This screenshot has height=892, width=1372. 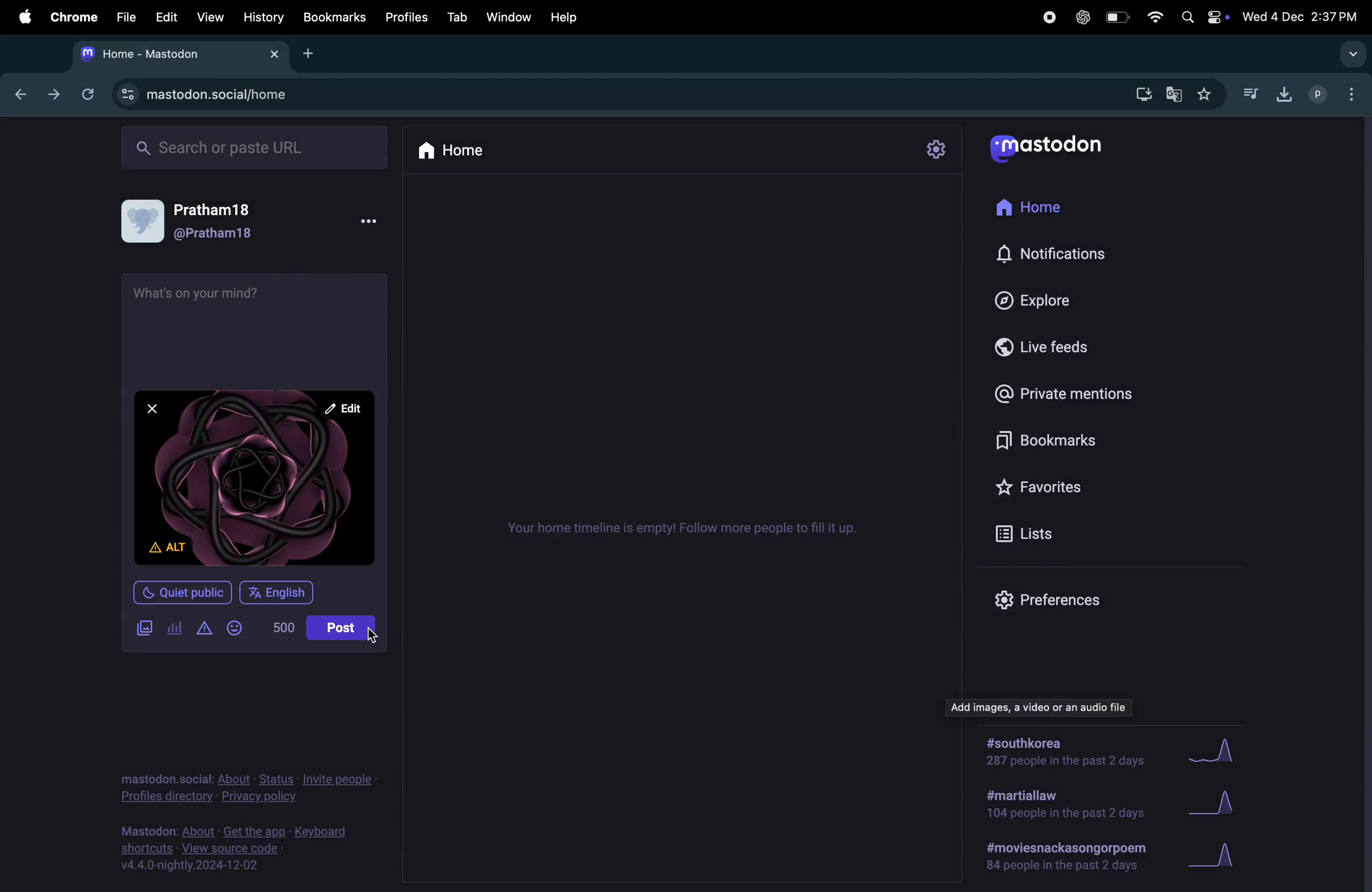 What do you see at coordinates (175, 629) in the screenshot?
I see `poll` at bounding box center [175, 629].